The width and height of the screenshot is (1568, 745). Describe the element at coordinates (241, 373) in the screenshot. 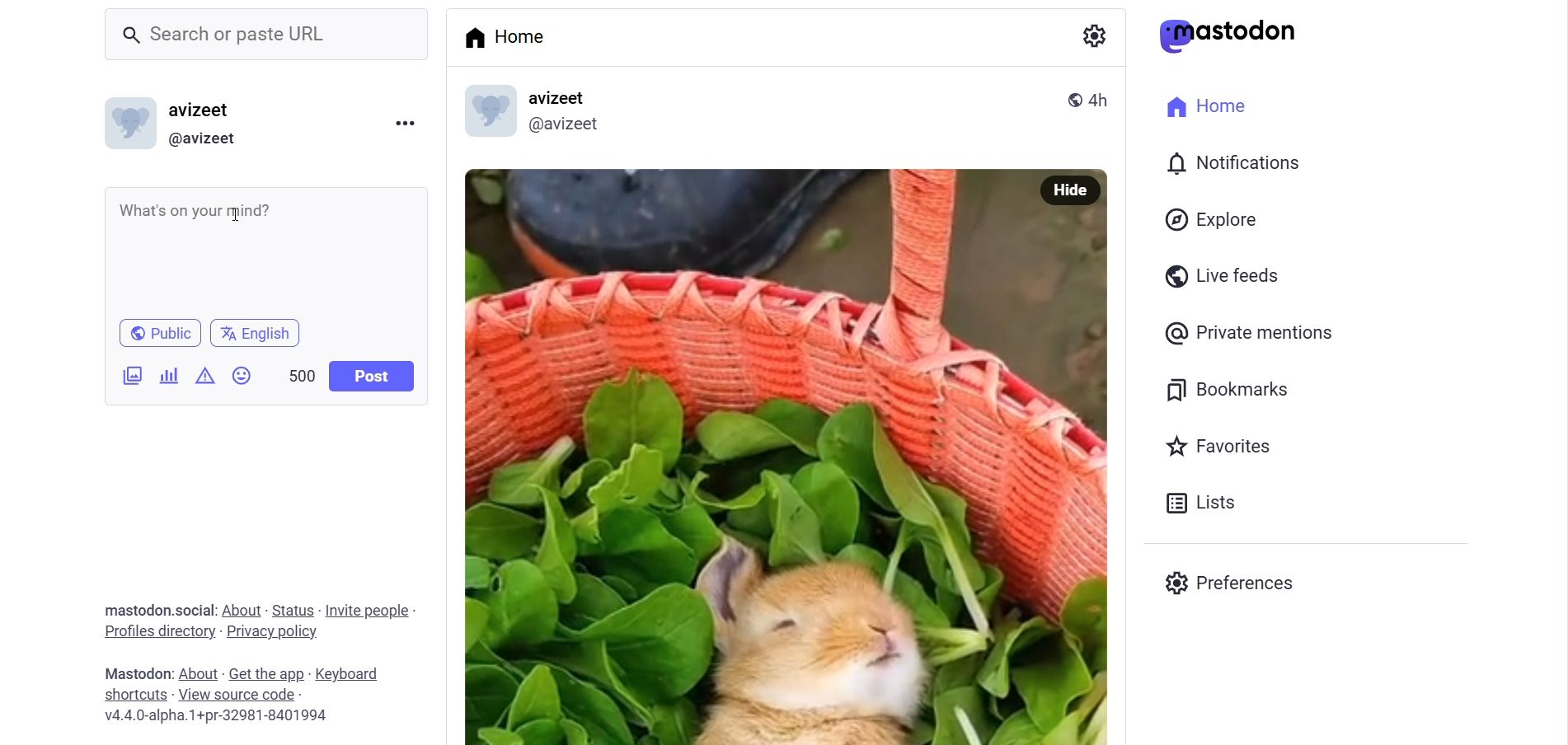

I see `Emojis` at that location.